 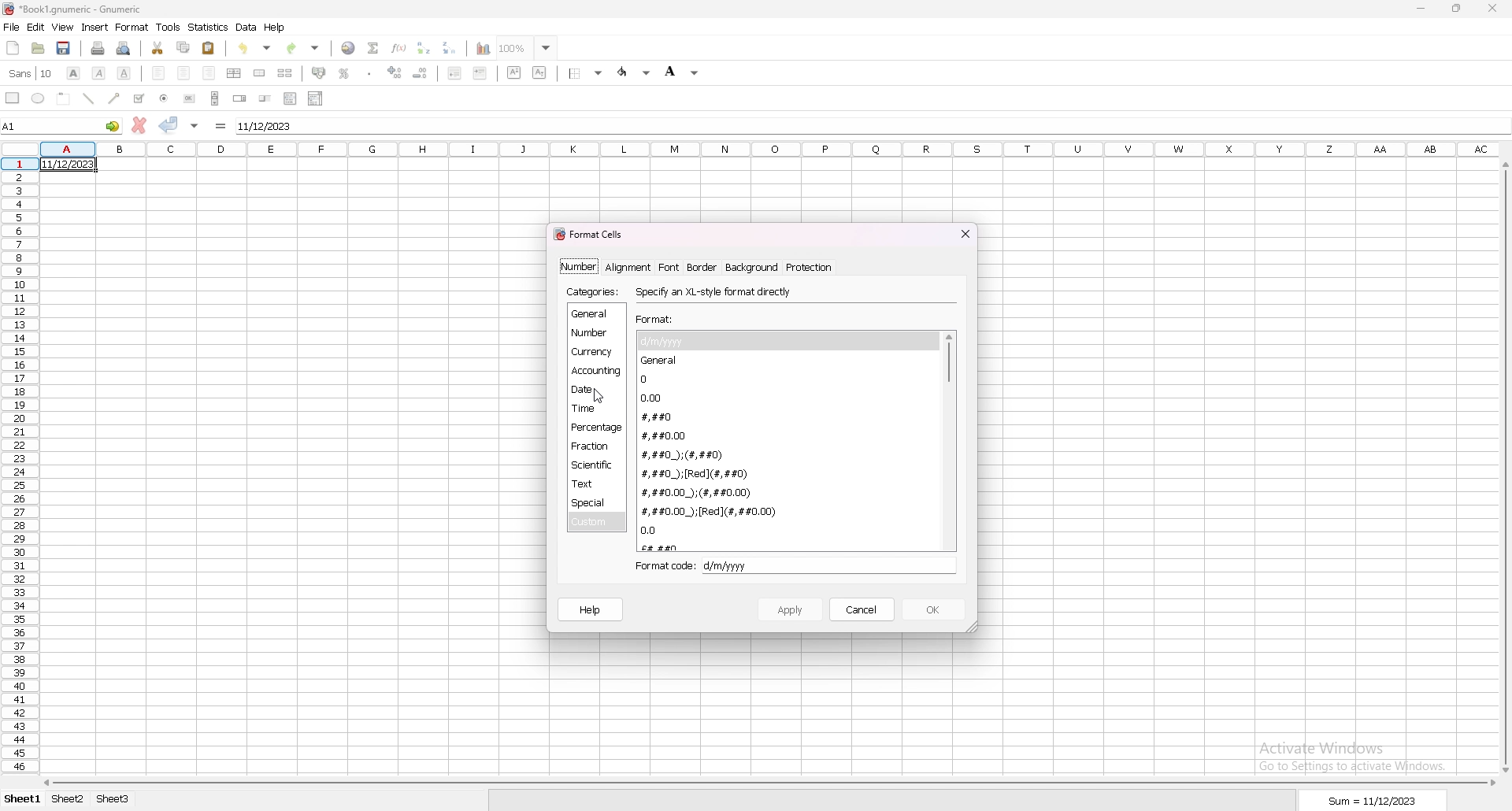 I want to click on date, so click(x=67, y=164).